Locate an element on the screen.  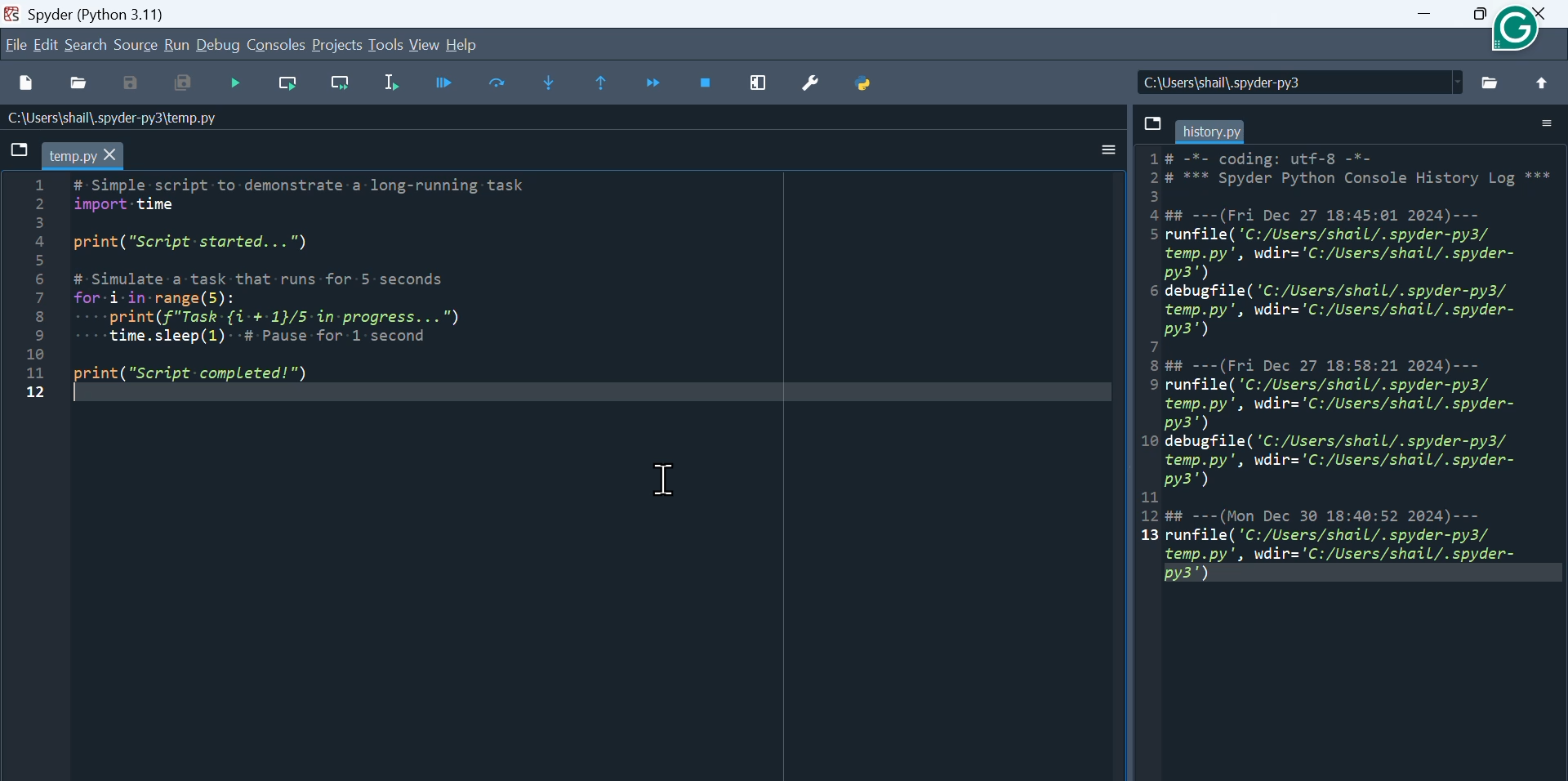
Debug file is located at coordinates (236, 82).